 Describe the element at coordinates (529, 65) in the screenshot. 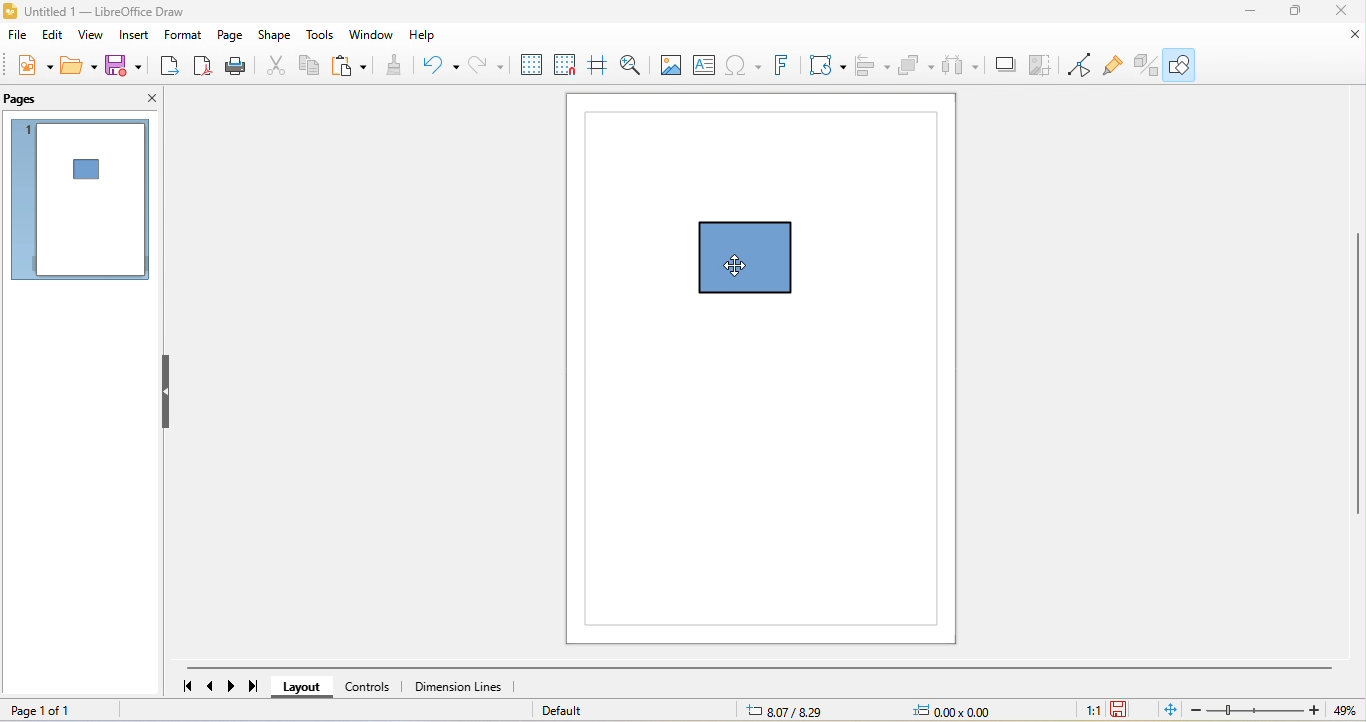

I see `display grid` at that location.